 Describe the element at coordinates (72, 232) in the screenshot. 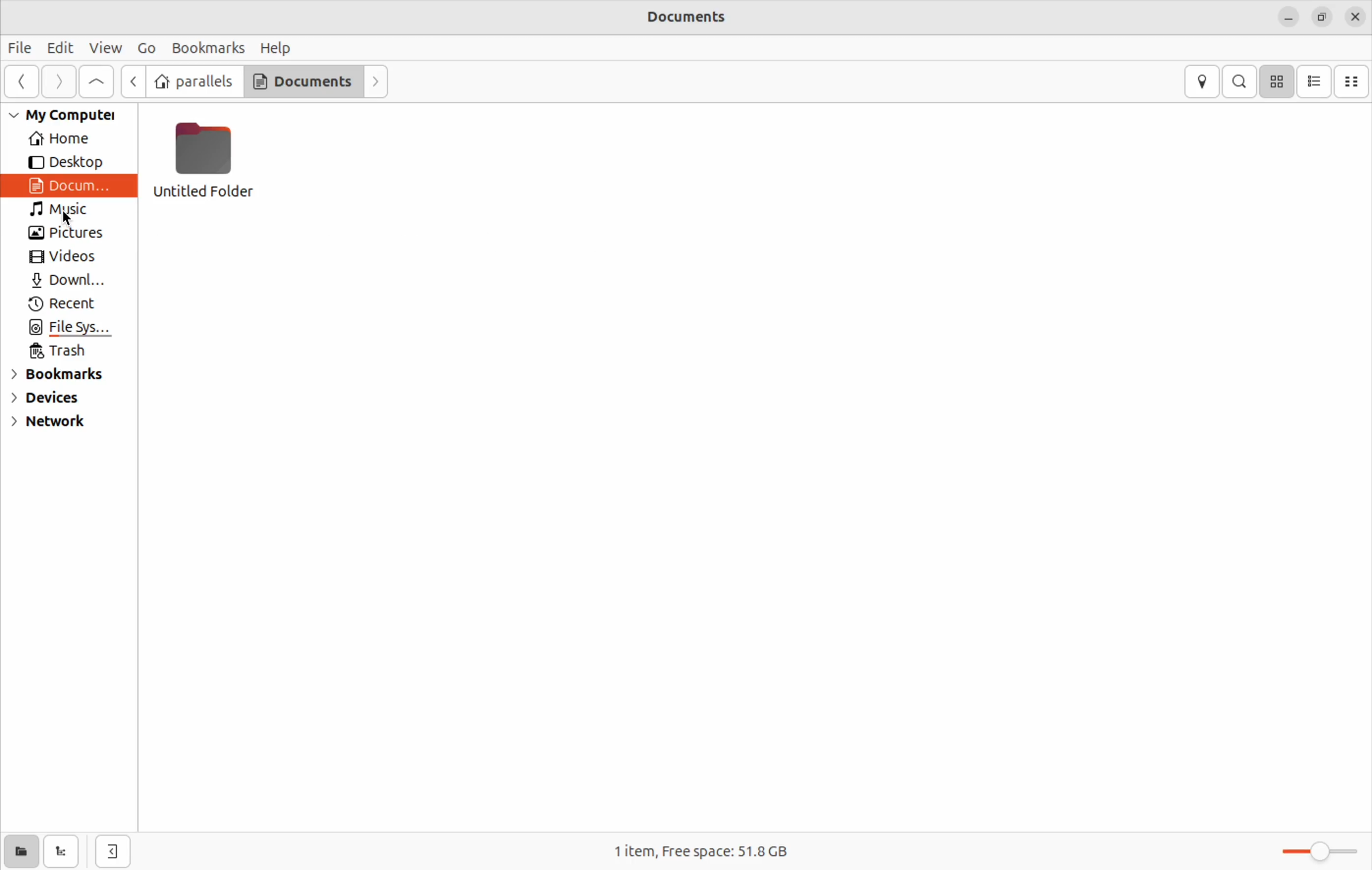

I see `Pictures` at that location.